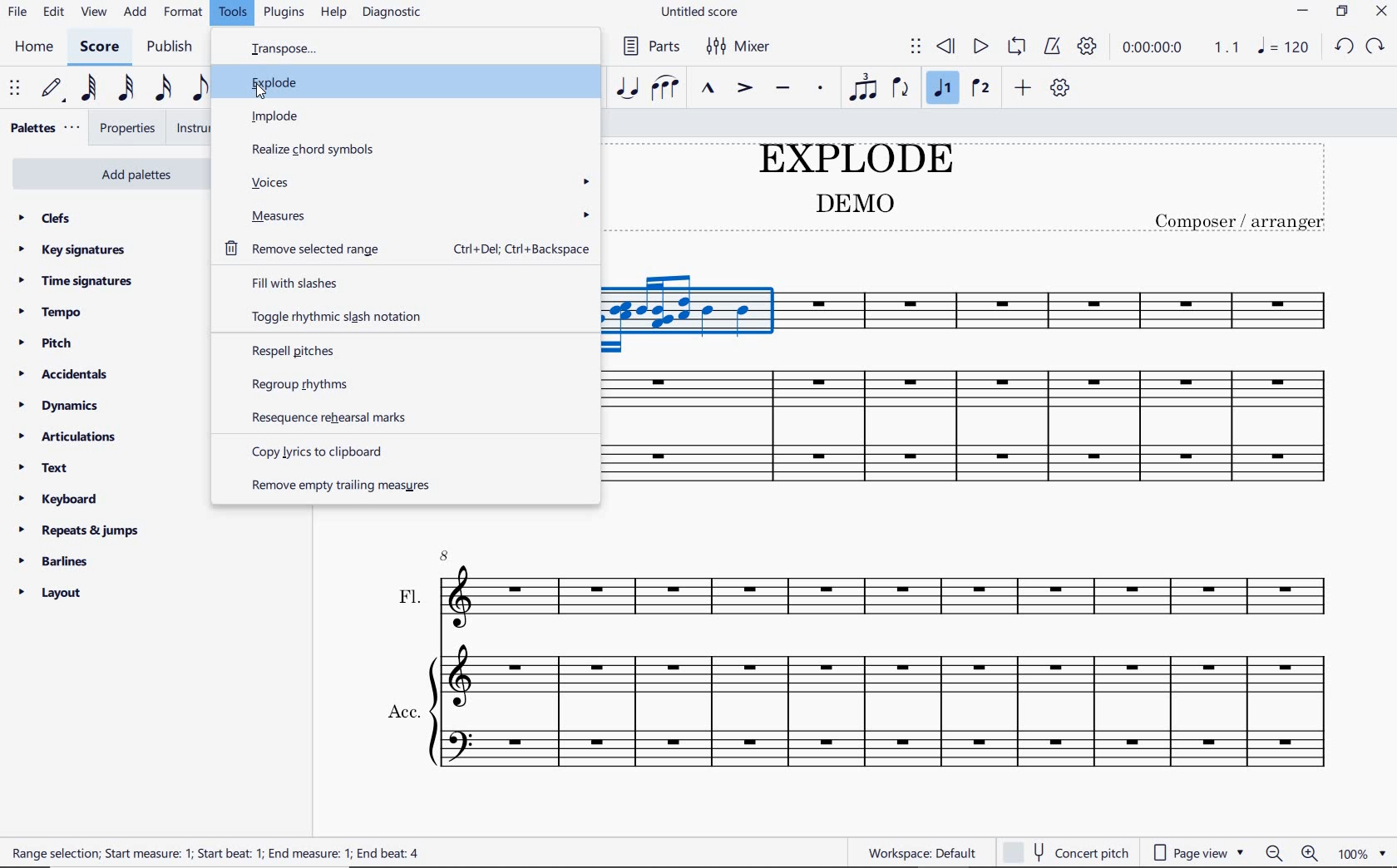 This screenshot has height=868, width=1397. I want to click on text, so click(46, 469).